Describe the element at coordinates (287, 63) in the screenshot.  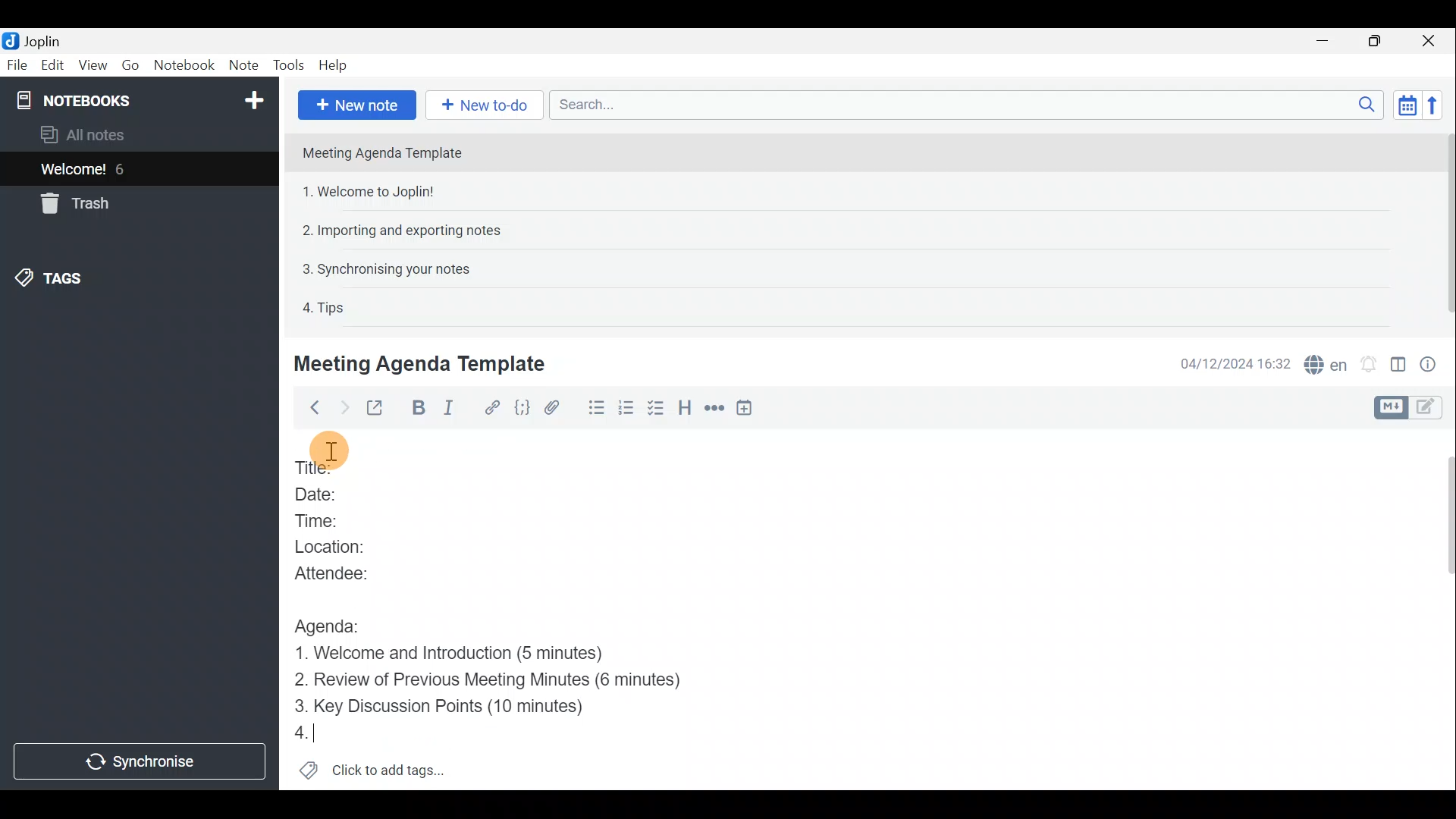
I see `Tools` at that location.